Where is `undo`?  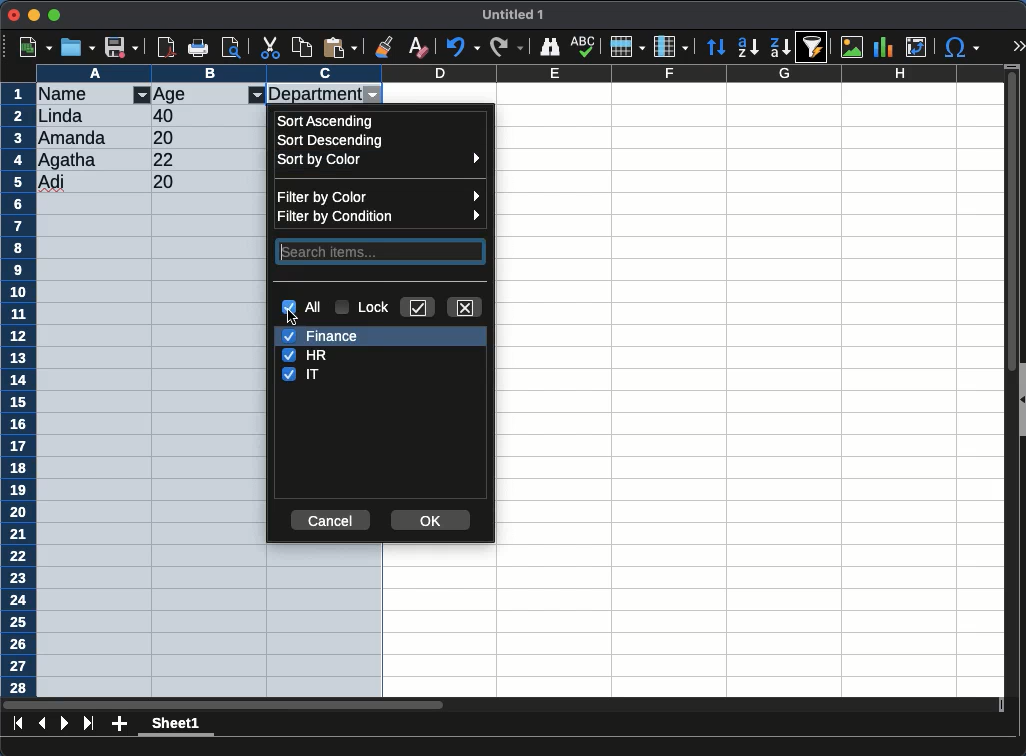
undo is located at coordinates (463, 48).